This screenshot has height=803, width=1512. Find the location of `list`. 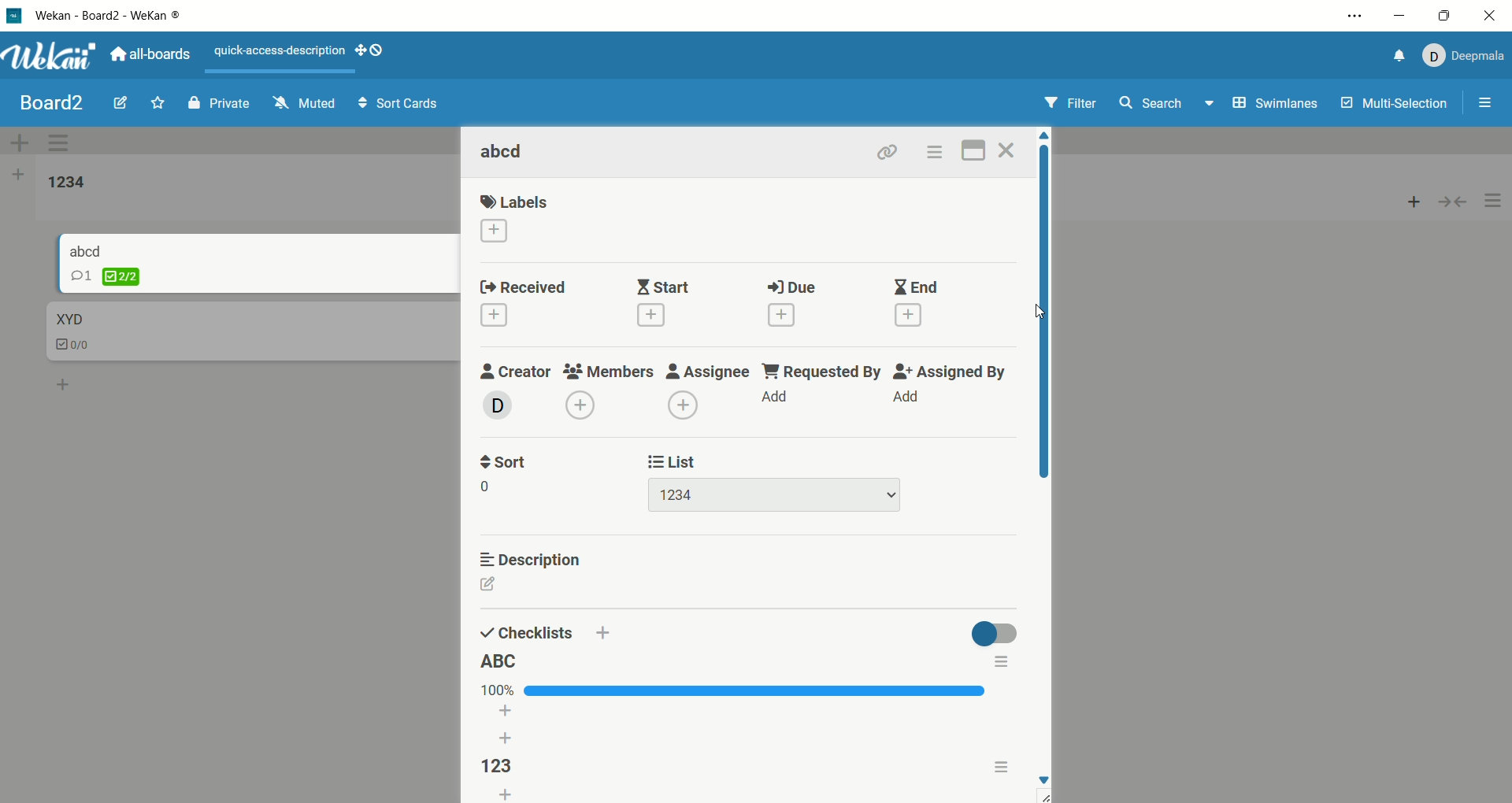

list is located at coordinates (776, 495).